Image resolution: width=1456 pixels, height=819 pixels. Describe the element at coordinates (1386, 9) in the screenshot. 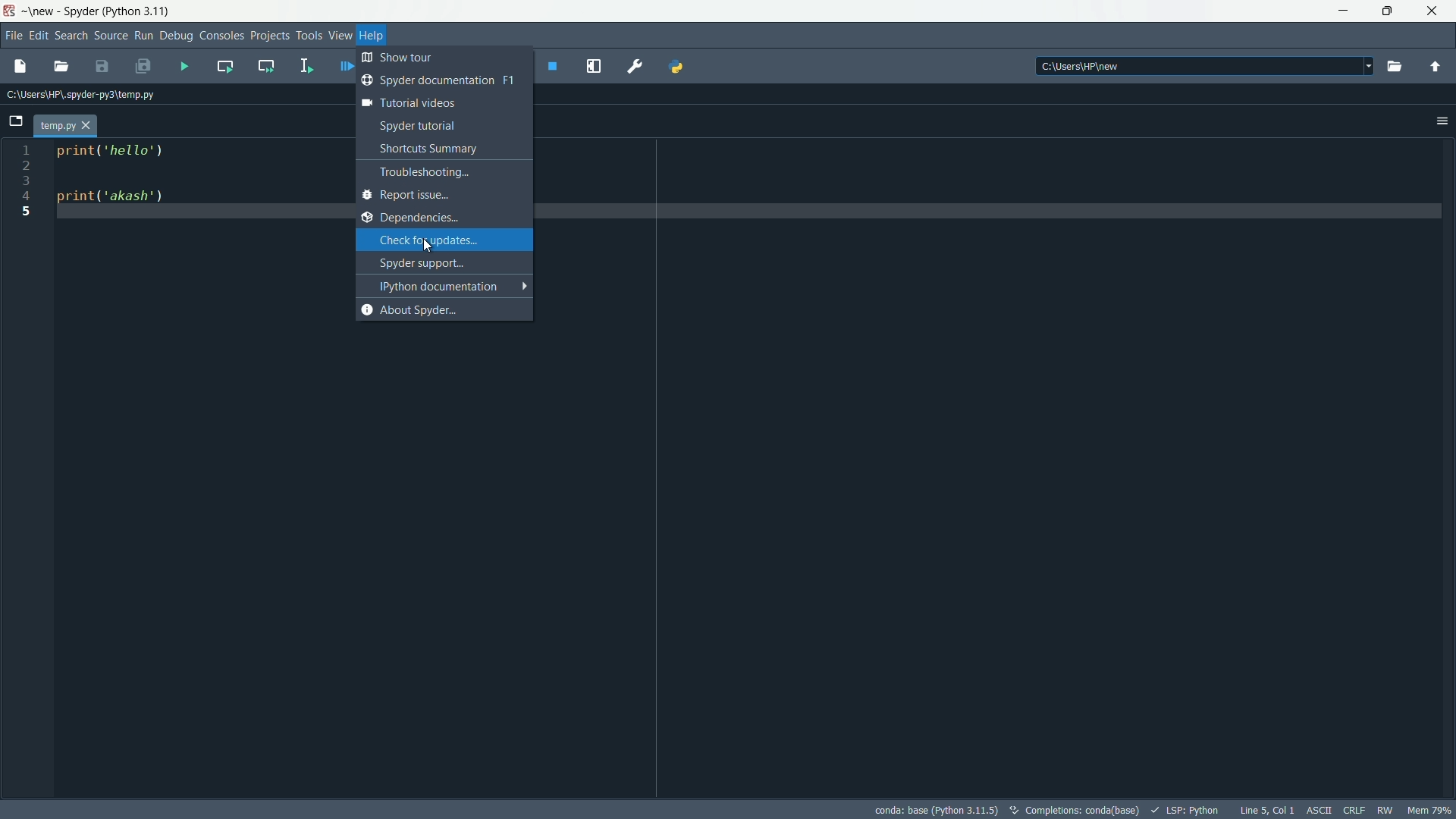

I see `restore` at that location.